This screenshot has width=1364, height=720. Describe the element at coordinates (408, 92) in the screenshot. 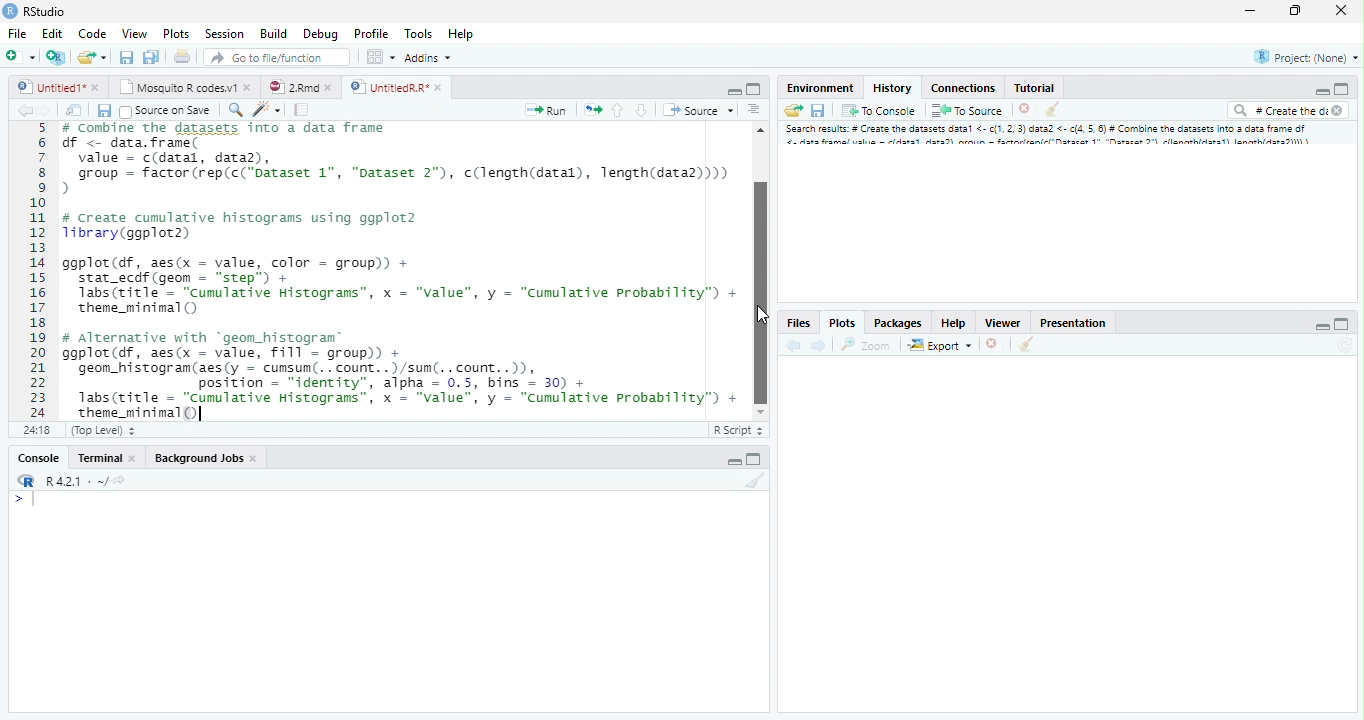

I see `Cursor` at that location.